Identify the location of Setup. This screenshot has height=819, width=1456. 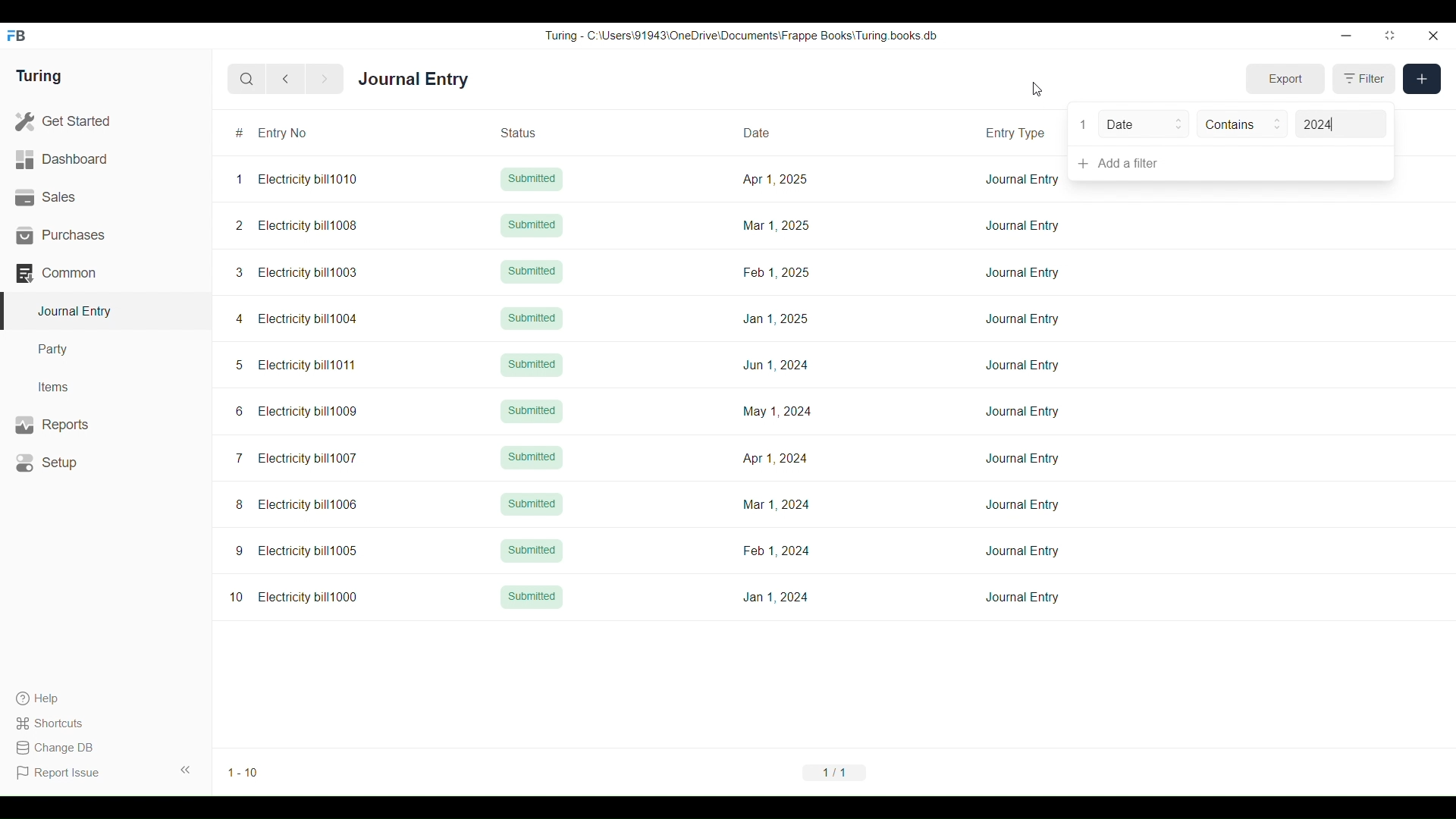
(106, 463).